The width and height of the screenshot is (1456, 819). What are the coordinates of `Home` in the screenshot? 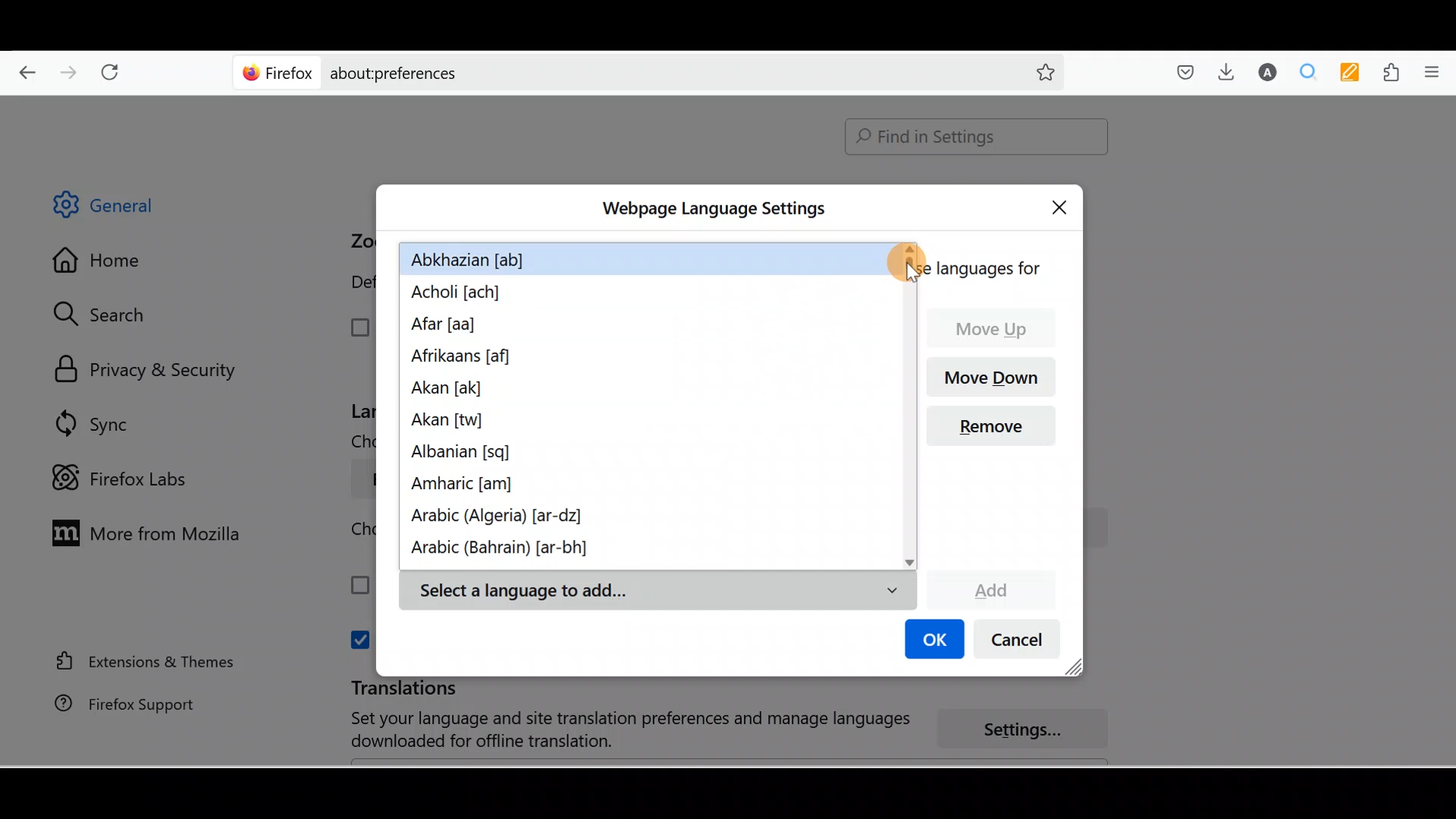 It's located at (108, 264).